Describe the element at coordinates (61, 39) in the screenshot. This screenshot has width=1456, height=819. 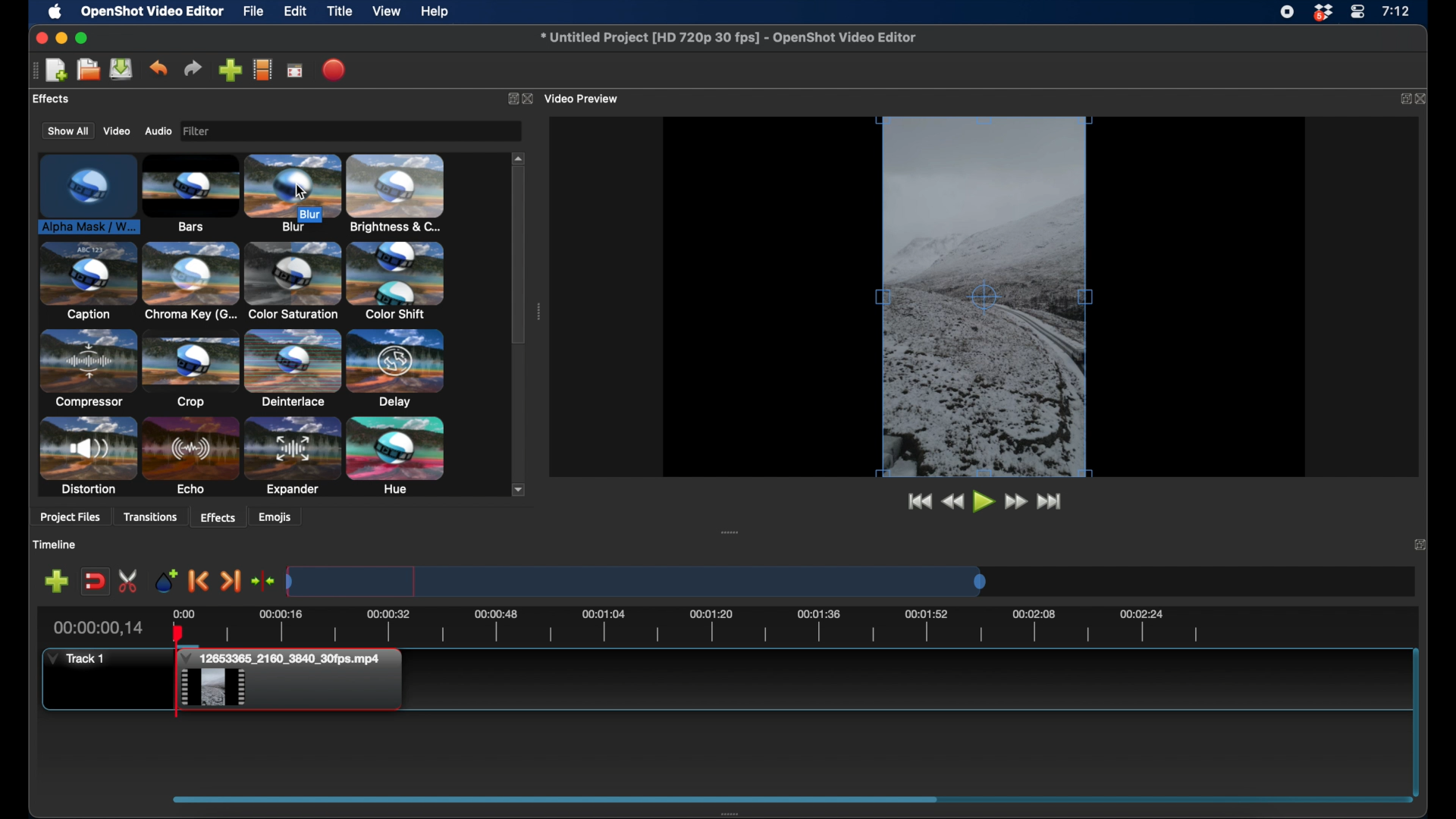
I see `minimize` at that location.